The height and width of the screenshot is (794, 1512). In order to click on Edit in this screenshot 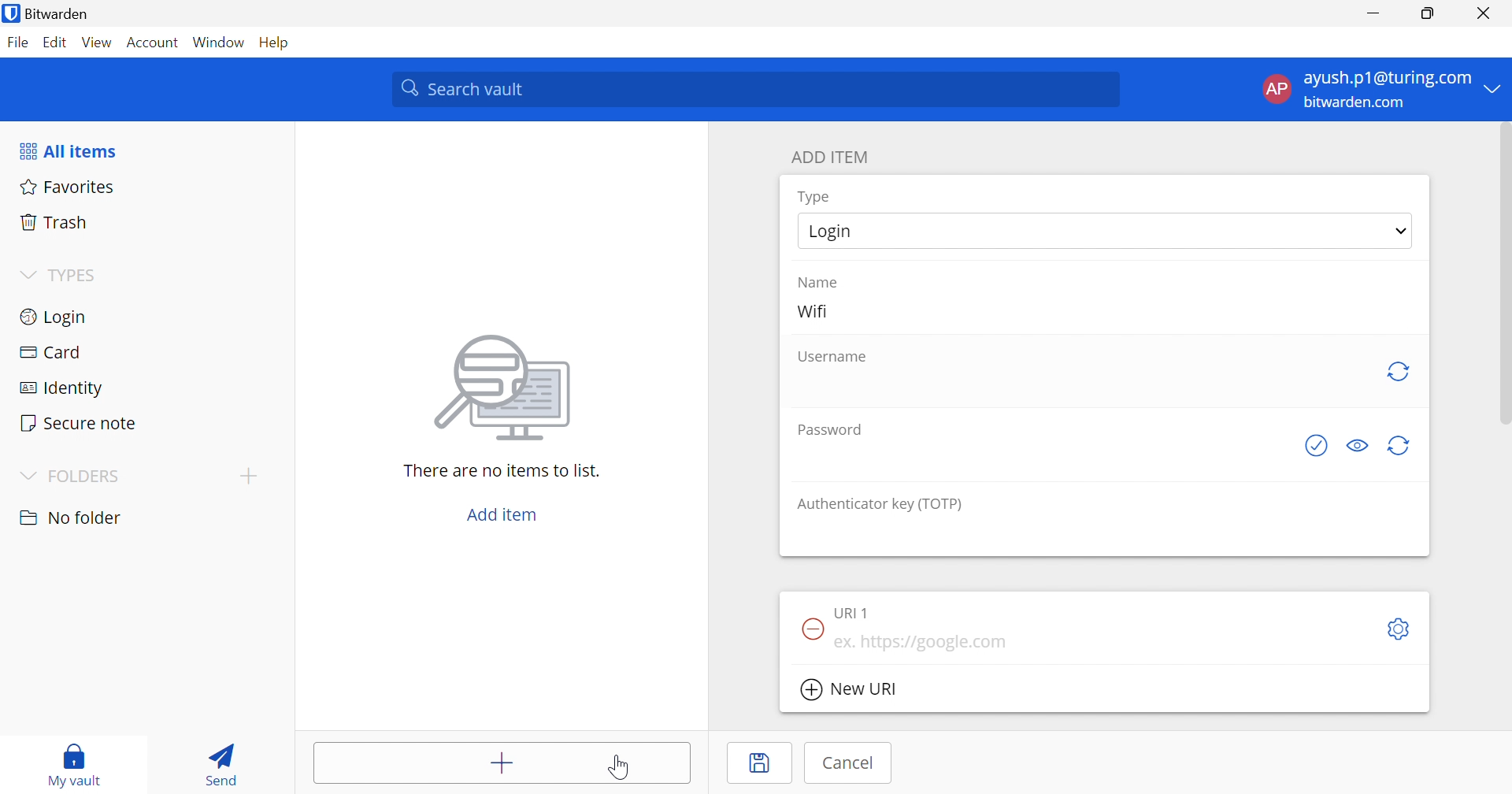, I will do `click(54, 43)`.